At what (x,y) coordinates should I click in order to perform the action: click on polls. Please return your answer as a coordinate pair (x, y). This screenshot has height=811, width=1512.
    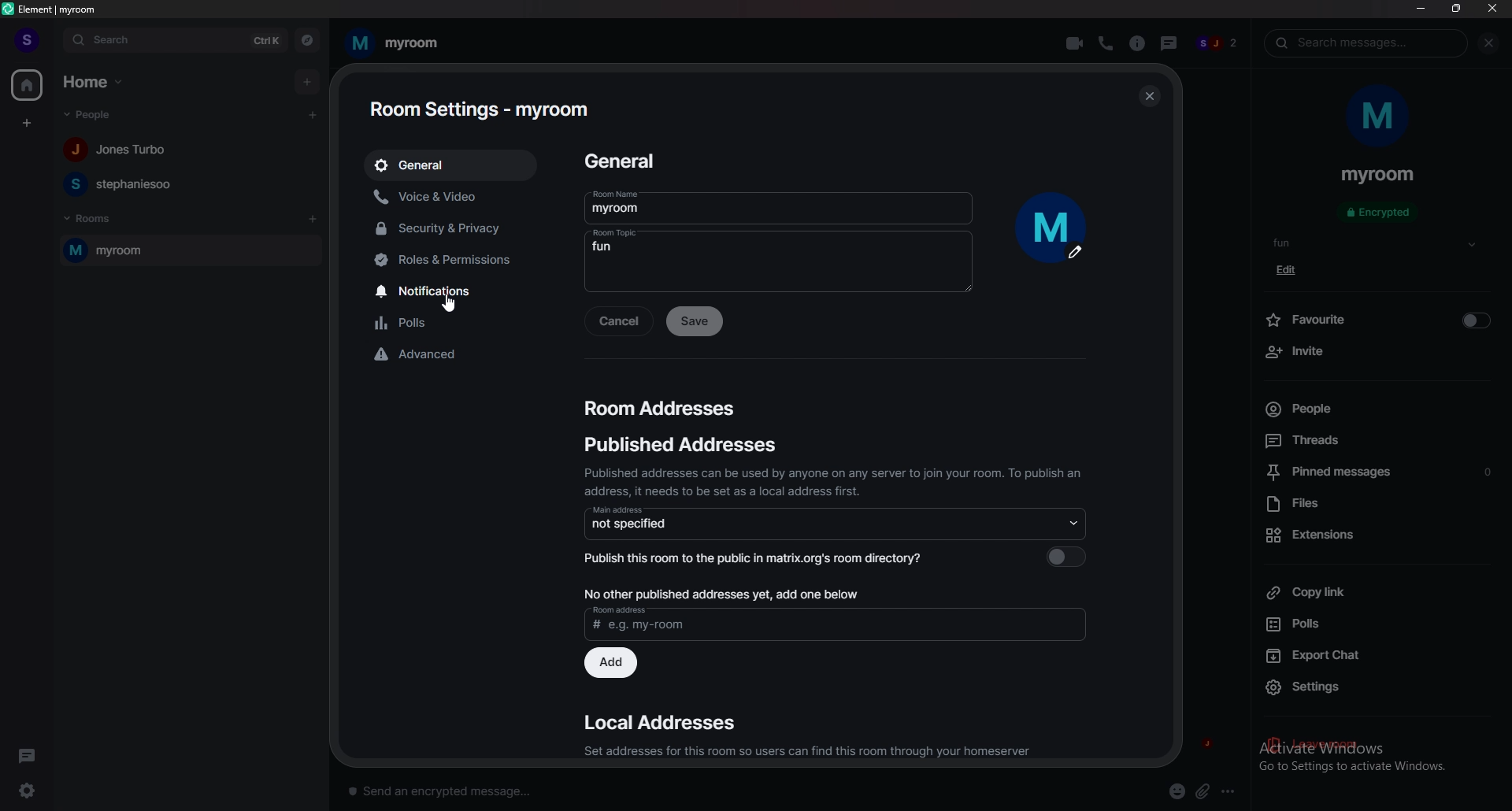
    Looking at the image, I should click on (458, 323).